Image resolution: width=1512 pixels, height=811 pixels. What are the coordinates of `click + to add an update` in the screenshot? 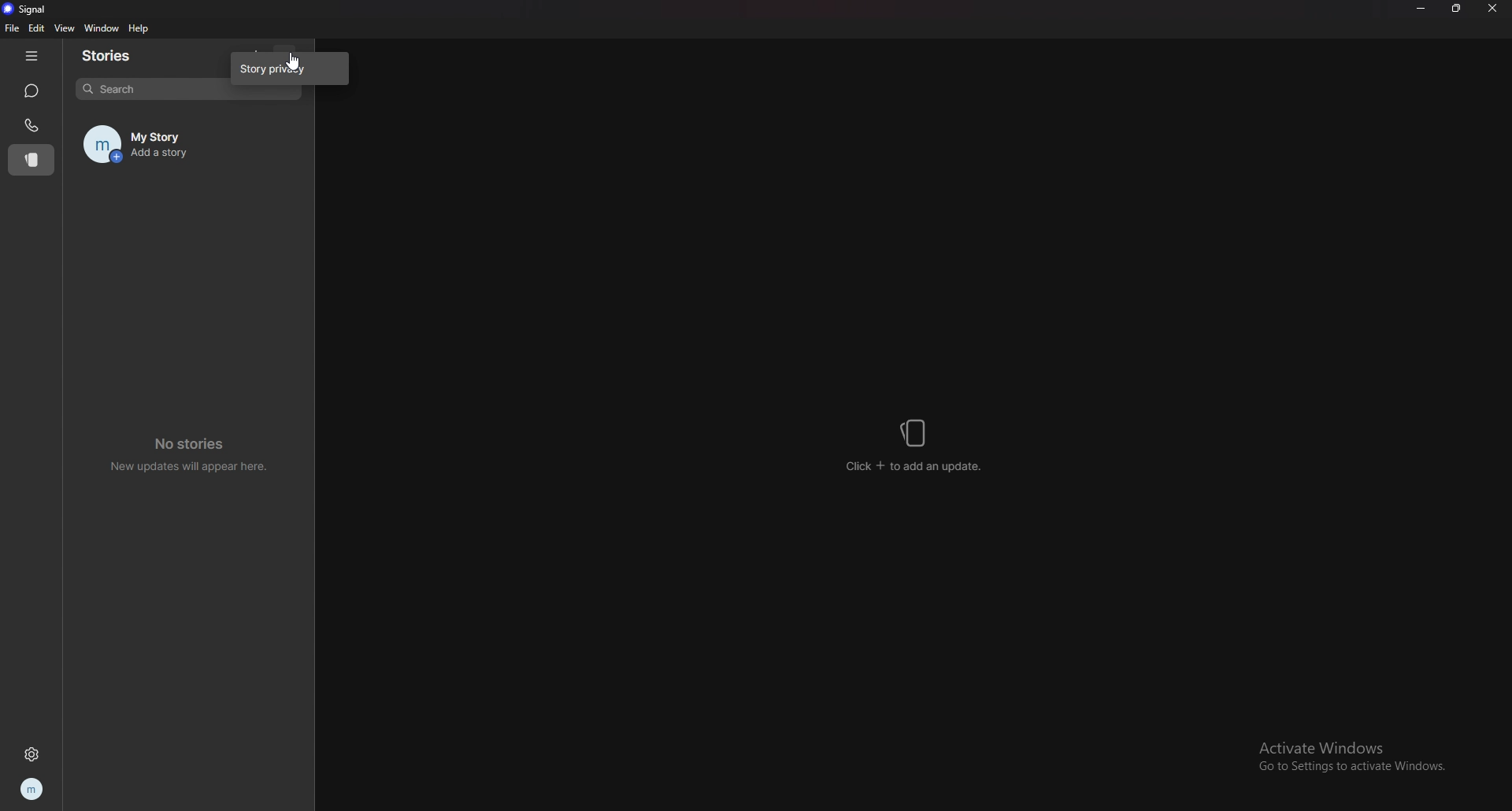 It's located at (914, 468).